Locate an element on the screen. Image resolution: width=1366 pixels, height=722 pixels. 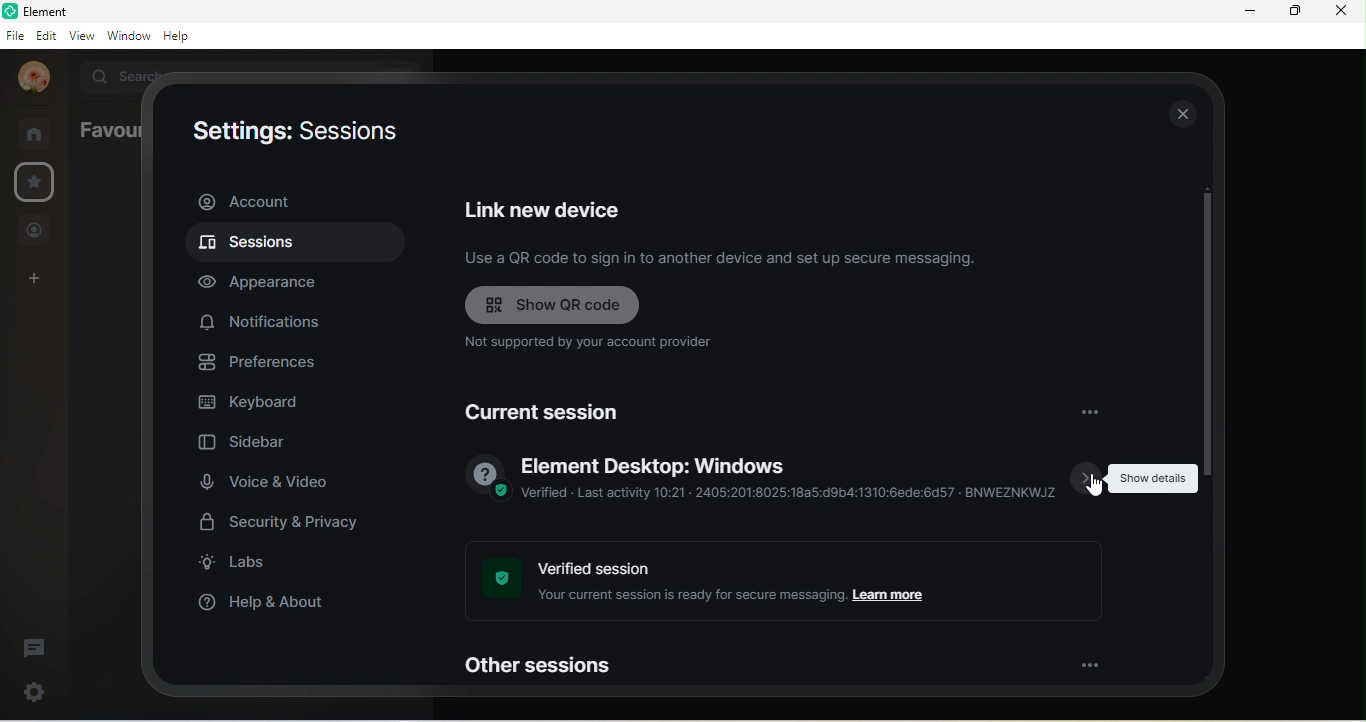
verified image is located at coordinates (489, 478).